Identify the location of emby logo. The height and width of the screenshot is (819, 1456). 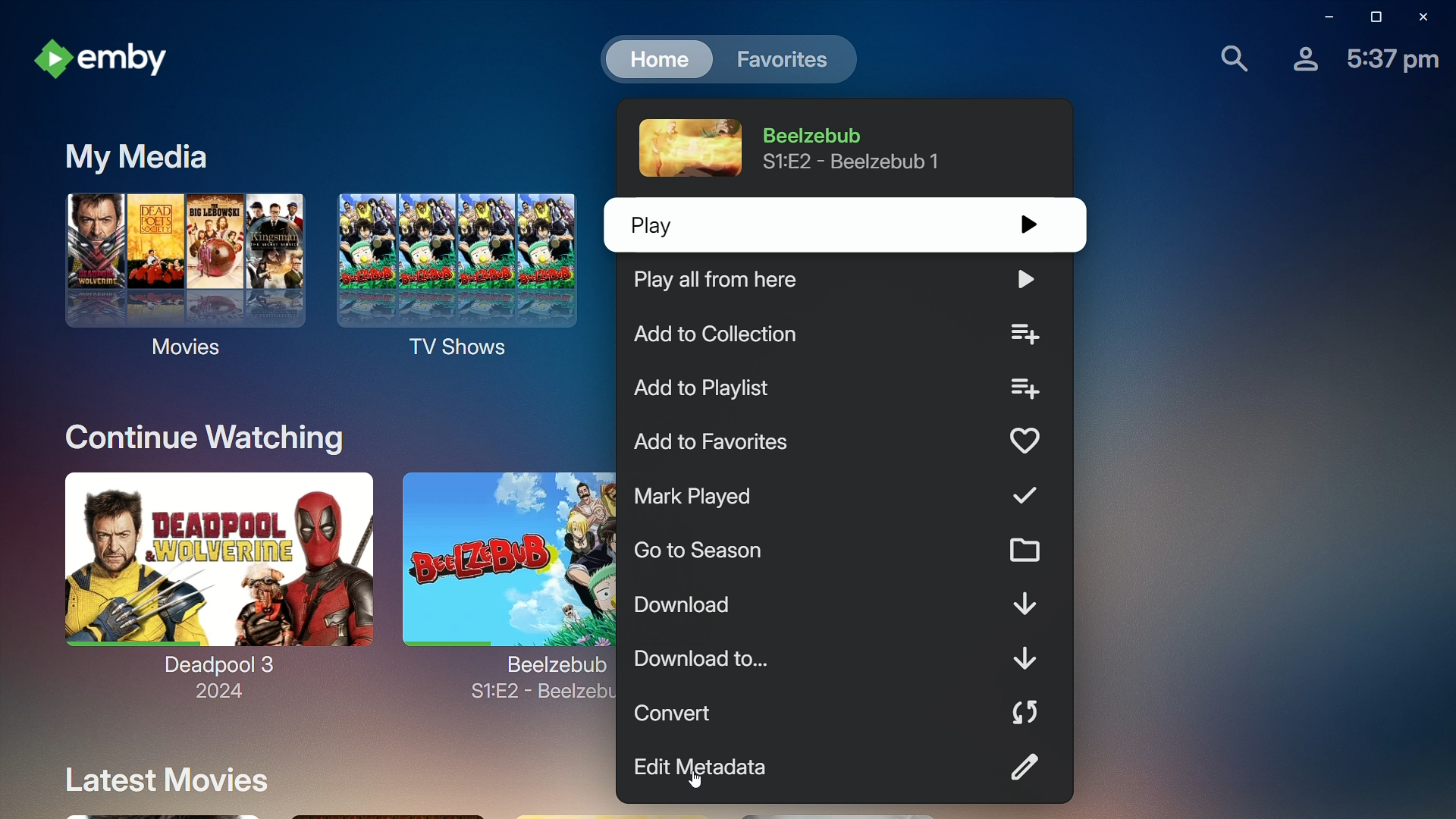
(53, 61).